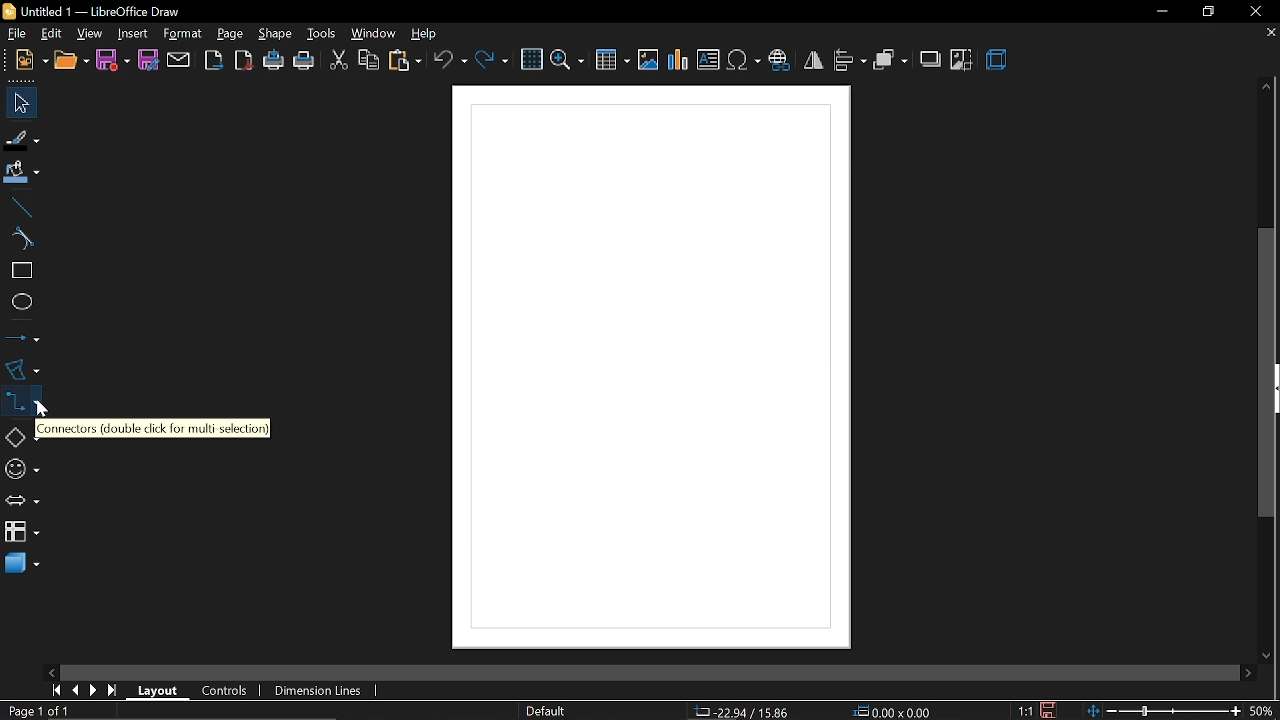 This screenshot has width=1280, height=720. What do you see at coordinates (22, 533) in the screenshot?
I see `flowchart` at bounding box center [22, 533].